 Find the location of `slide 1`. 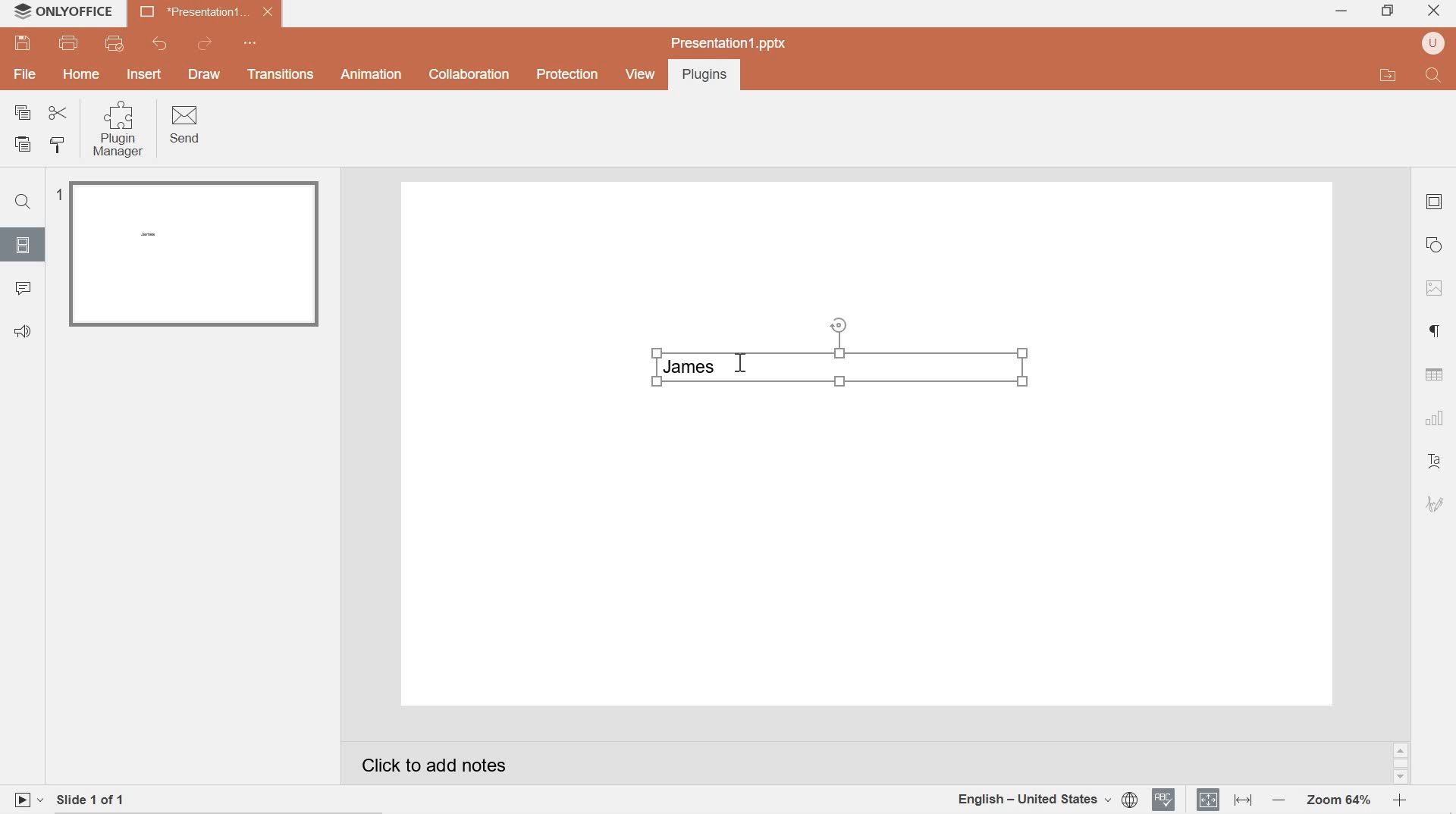

slide 1 is located at coordinates (190, 254).